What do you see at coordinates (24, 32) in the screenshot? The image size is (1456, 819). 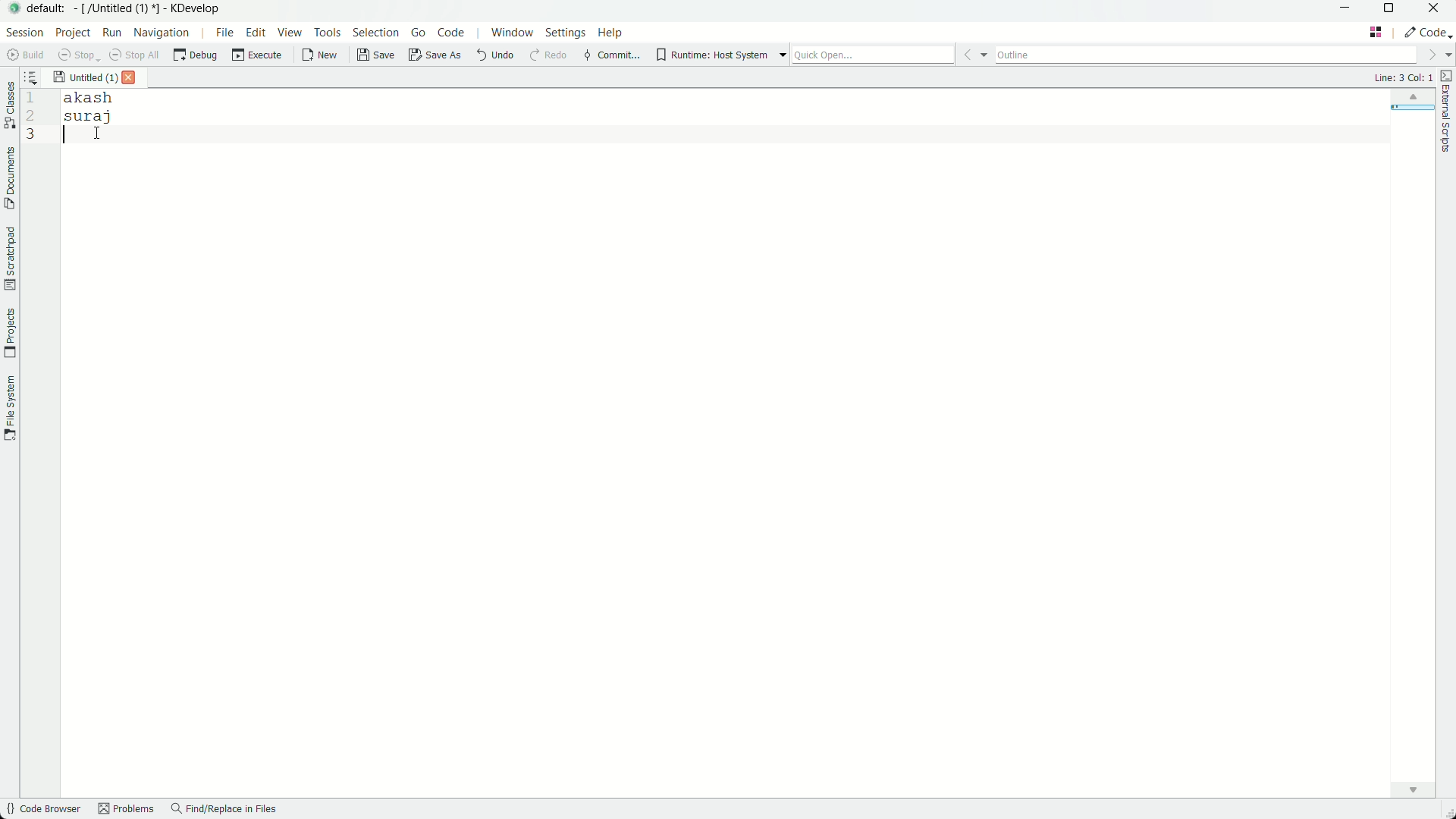 I see `session menu` at bounding box center [24, 32].